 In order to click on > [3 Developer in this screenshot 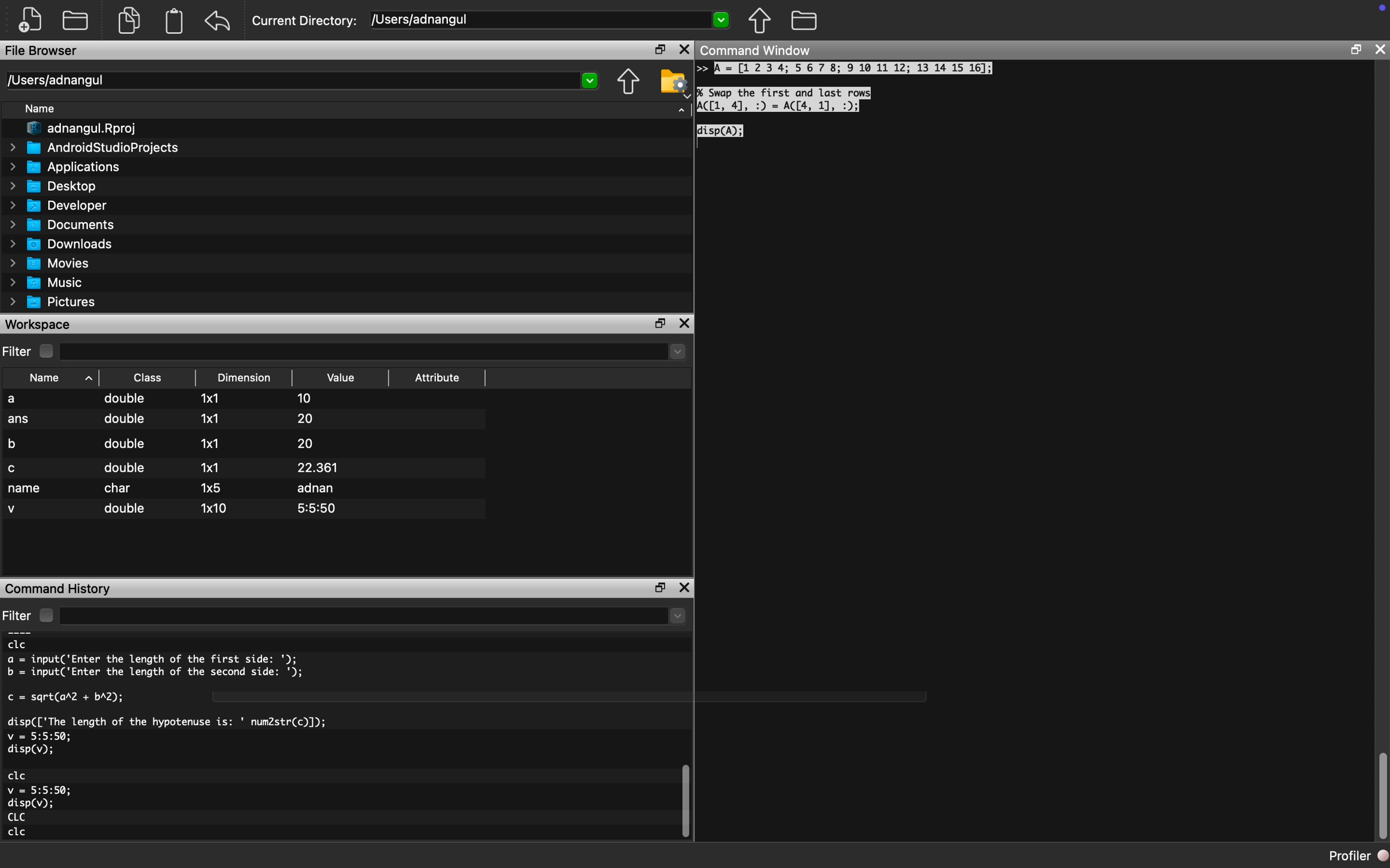, I will do `click(59, 206)`.